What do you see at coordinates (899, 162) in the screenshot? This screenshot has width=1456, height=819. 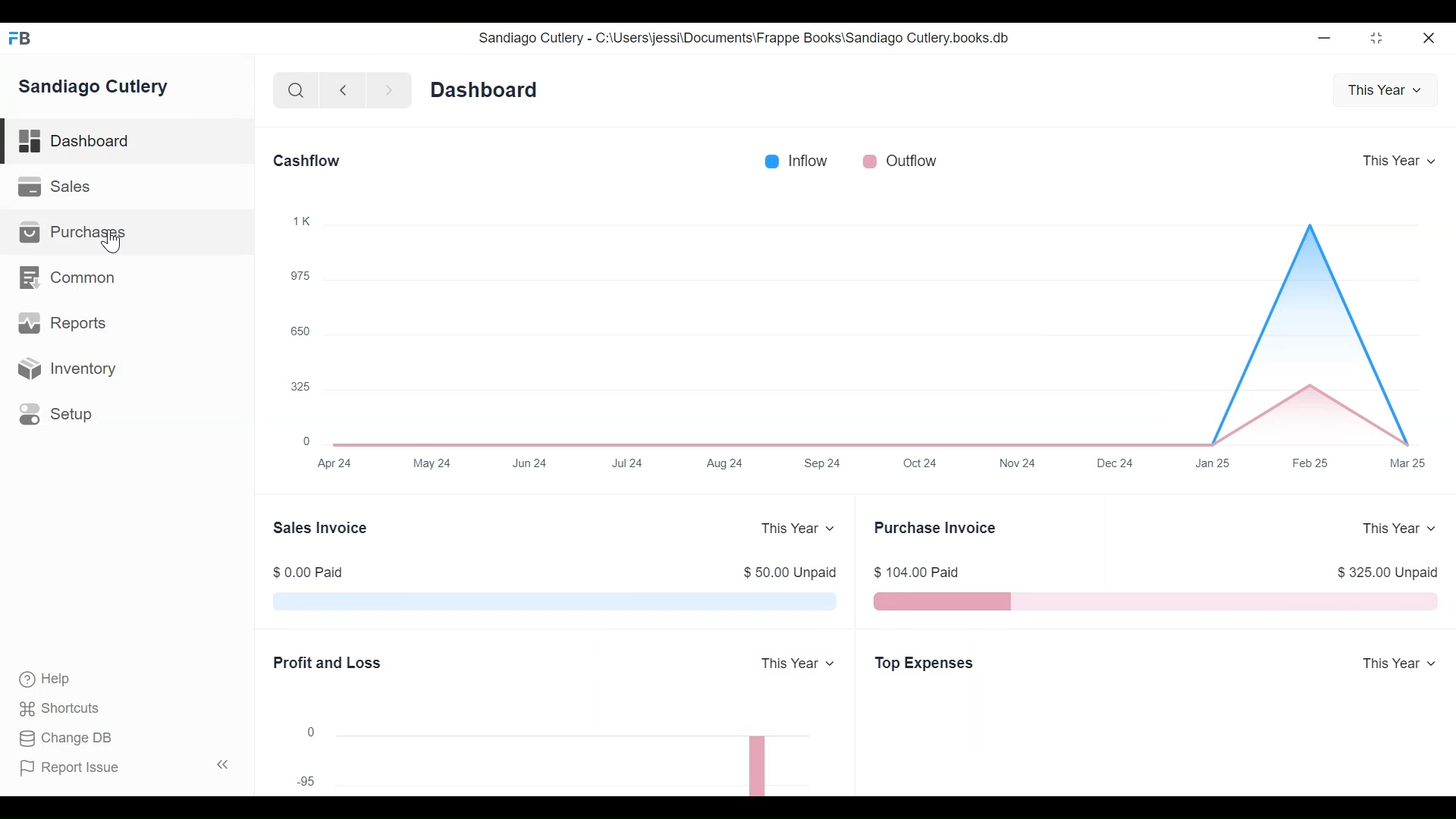 I see ` Outflow` at bounding box center [899, 162].